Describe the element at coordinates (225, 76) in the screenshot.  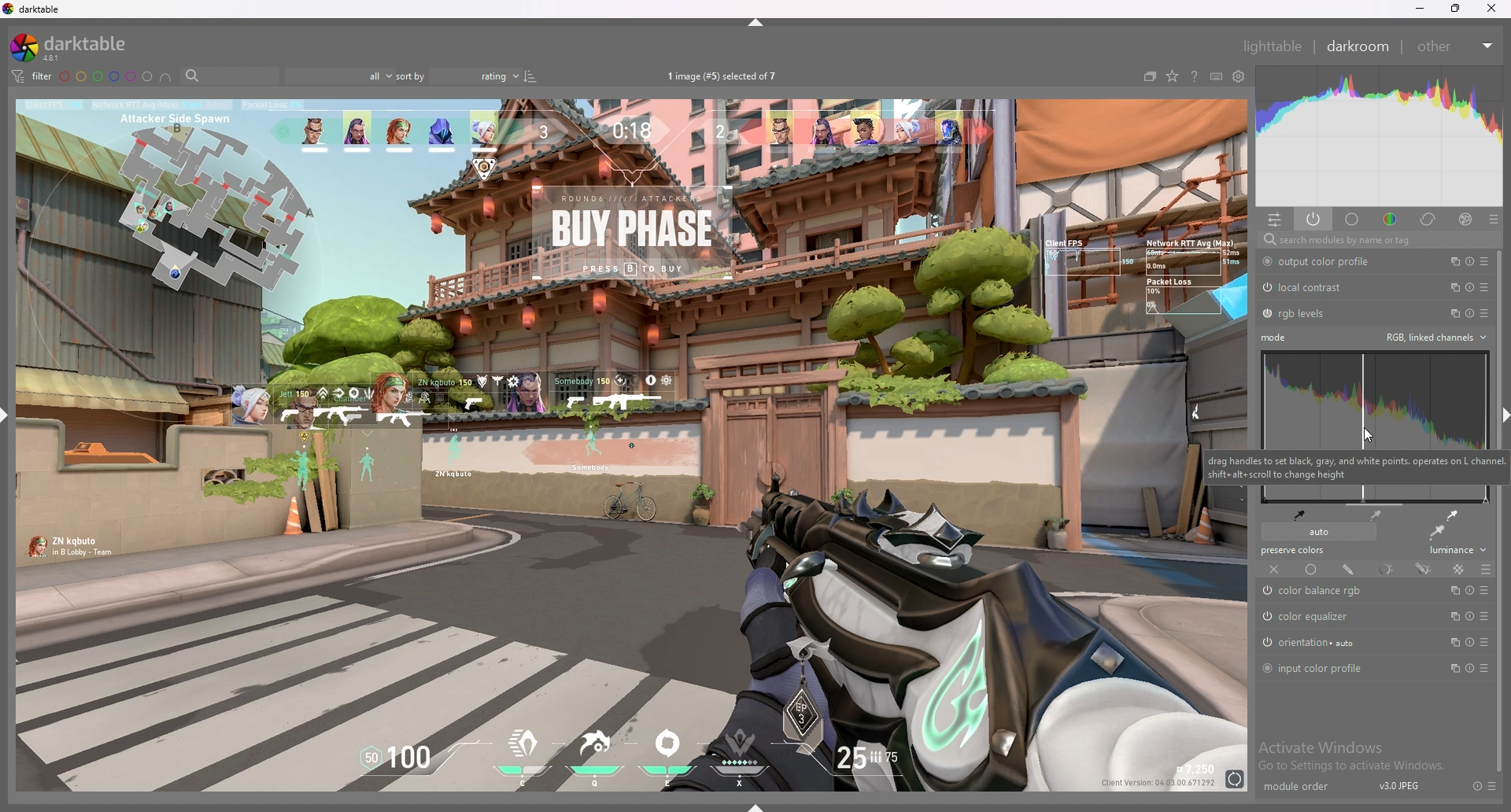
I see `search bar` at that location.